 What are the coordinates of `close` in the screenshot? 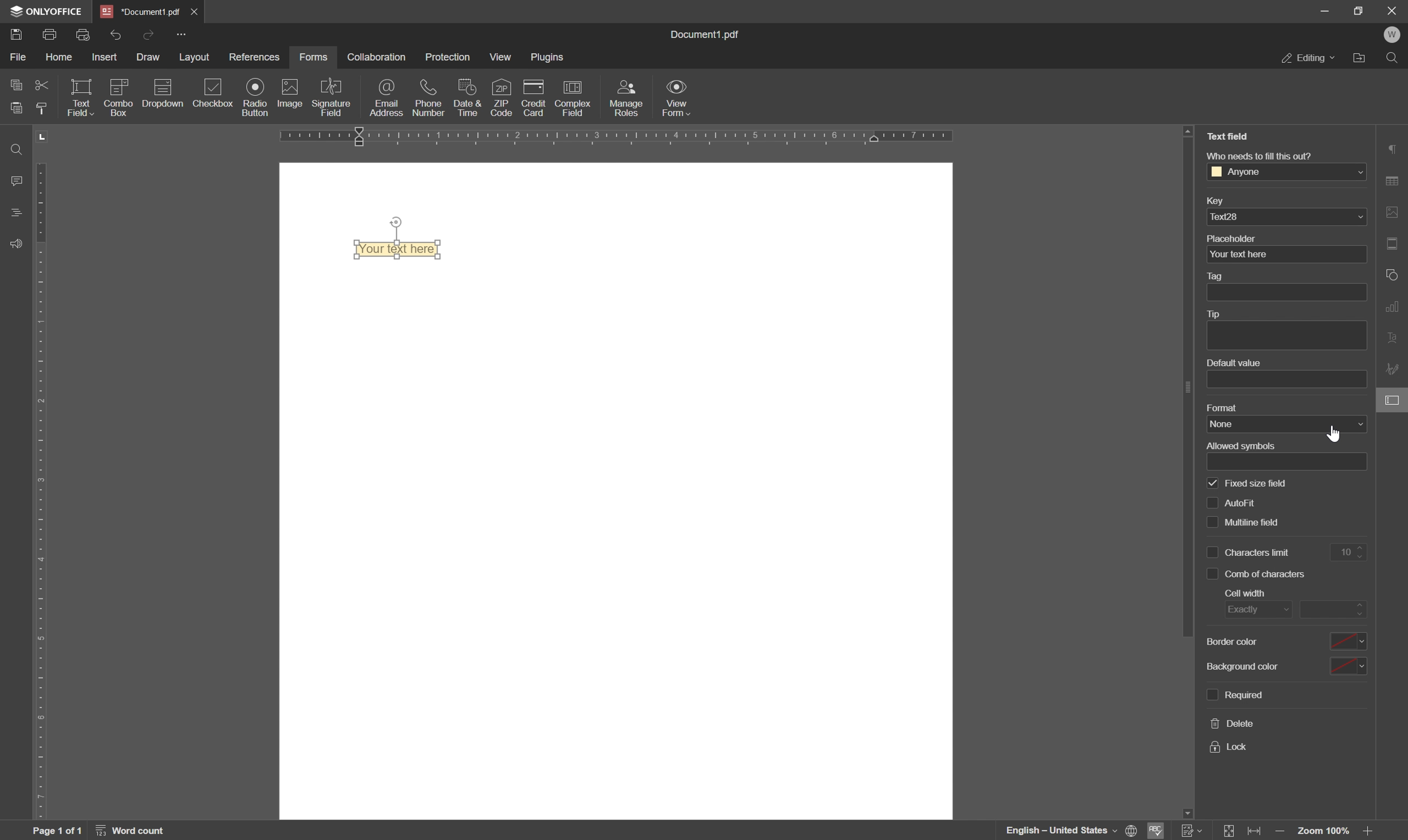 It's located at (195, 10).